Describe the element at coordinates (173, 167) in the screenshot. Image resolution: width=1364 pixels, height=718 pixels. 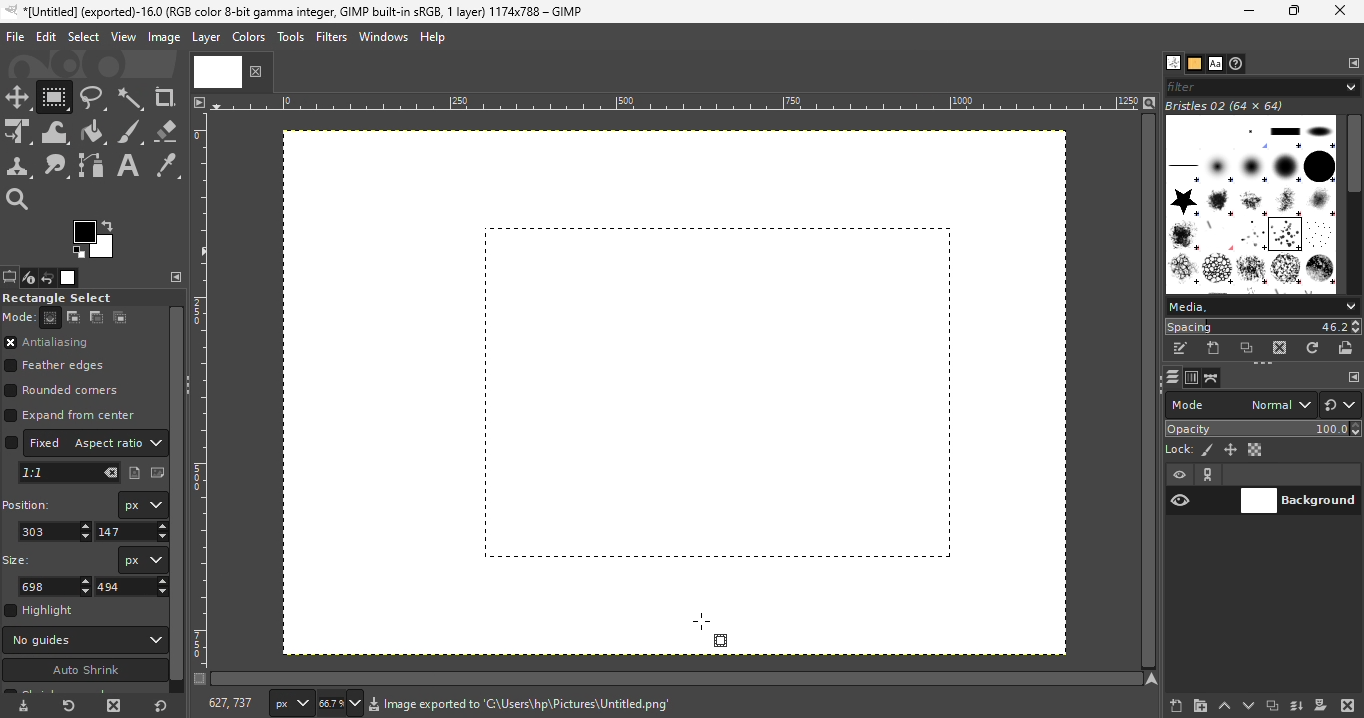
I see `color picker tool` at that location.